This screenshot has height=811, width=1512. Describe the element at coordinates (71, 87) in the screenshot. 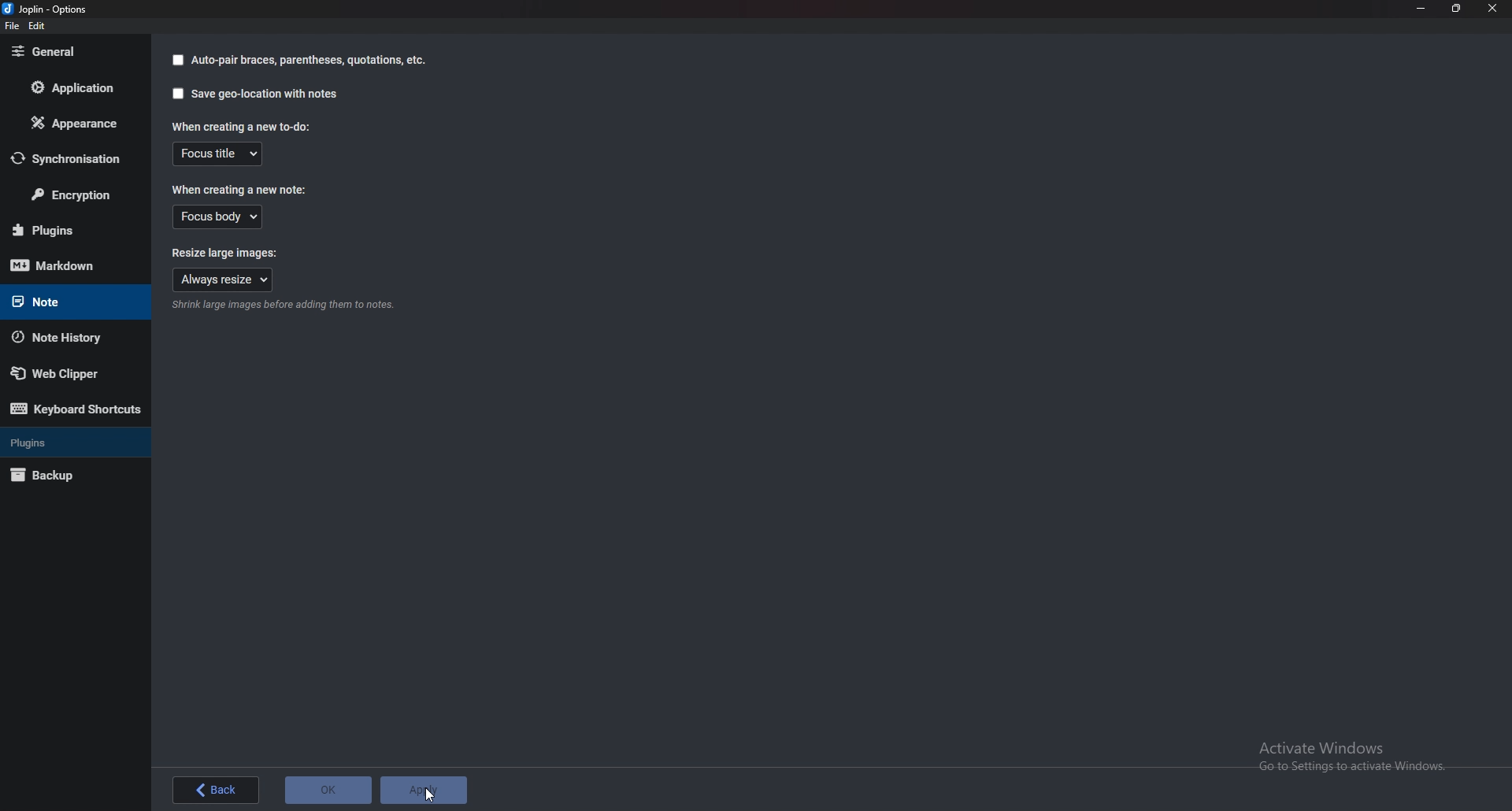

I see `Application` at that location.